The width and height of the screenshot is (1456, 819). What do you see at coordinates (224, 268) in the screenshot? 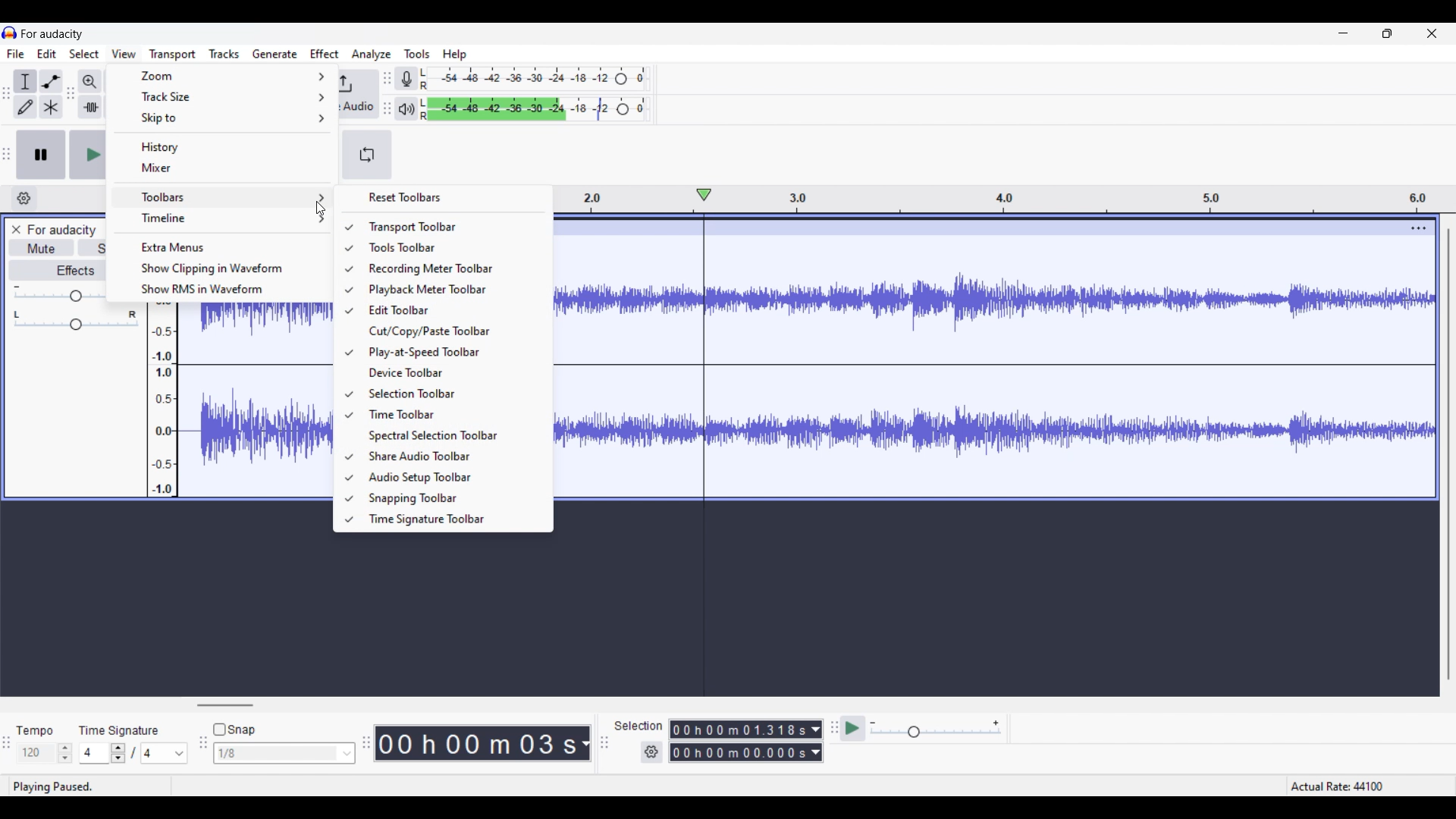
I see `Show clipping in waveform` at bounding box center [224, 268].